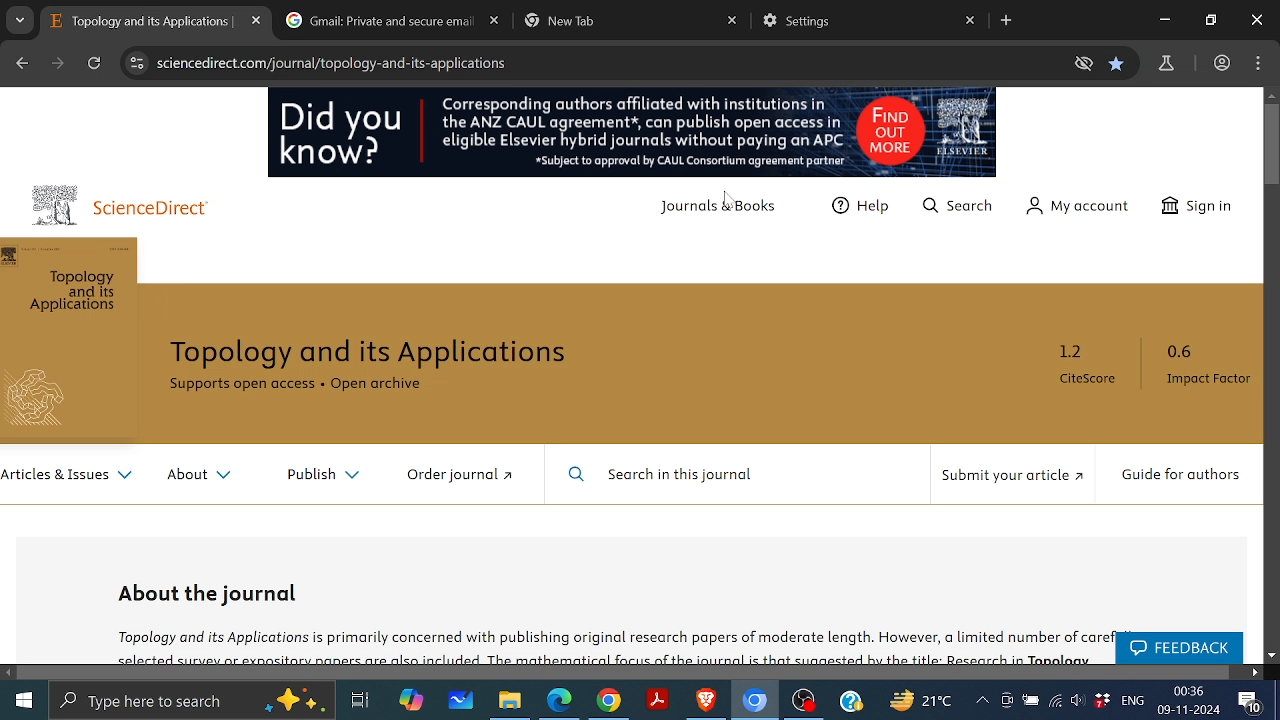  I want to click on Articles & Issues , so click(70, 475).